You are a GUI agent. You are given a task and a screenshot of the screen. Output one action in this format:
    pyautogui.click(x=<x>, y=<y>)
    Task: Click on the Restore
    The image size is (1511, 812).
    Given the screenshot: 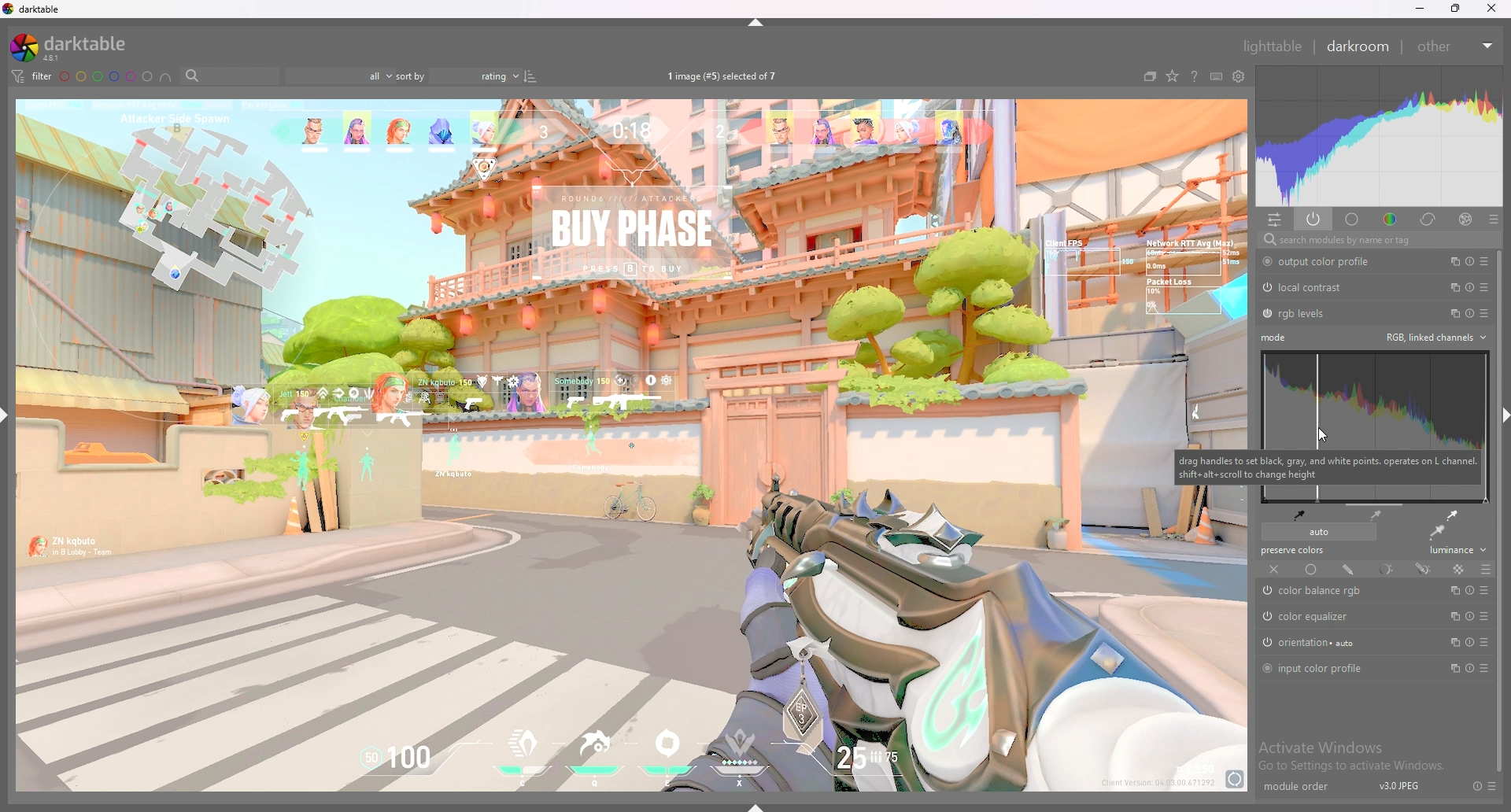 What is the action you would take?
    pyautogui.click(x=1454, y=12)
    